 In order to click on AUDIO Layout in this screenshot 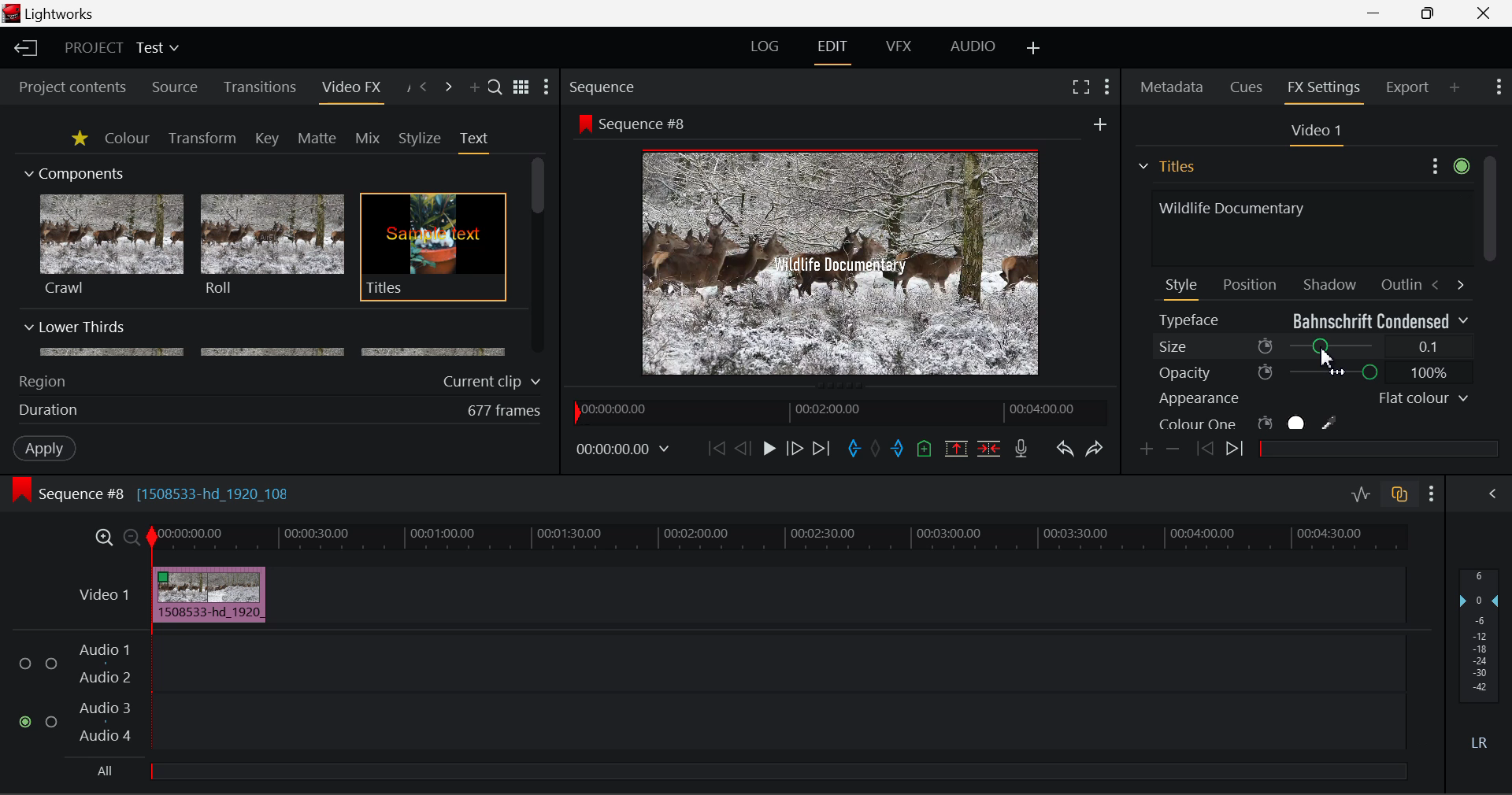, I will do `click(972, 48)`.